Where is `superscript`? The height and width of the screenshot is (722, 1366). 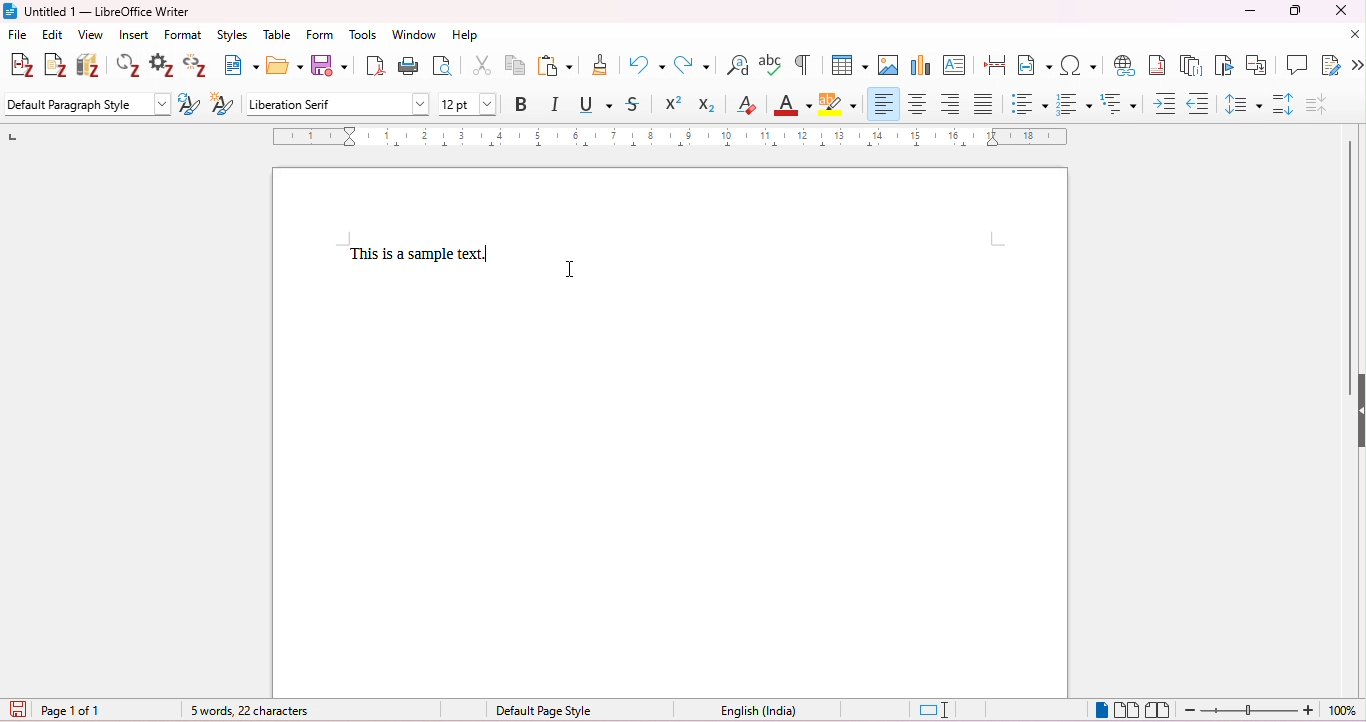
superscript is located at coordinates (674, 104).